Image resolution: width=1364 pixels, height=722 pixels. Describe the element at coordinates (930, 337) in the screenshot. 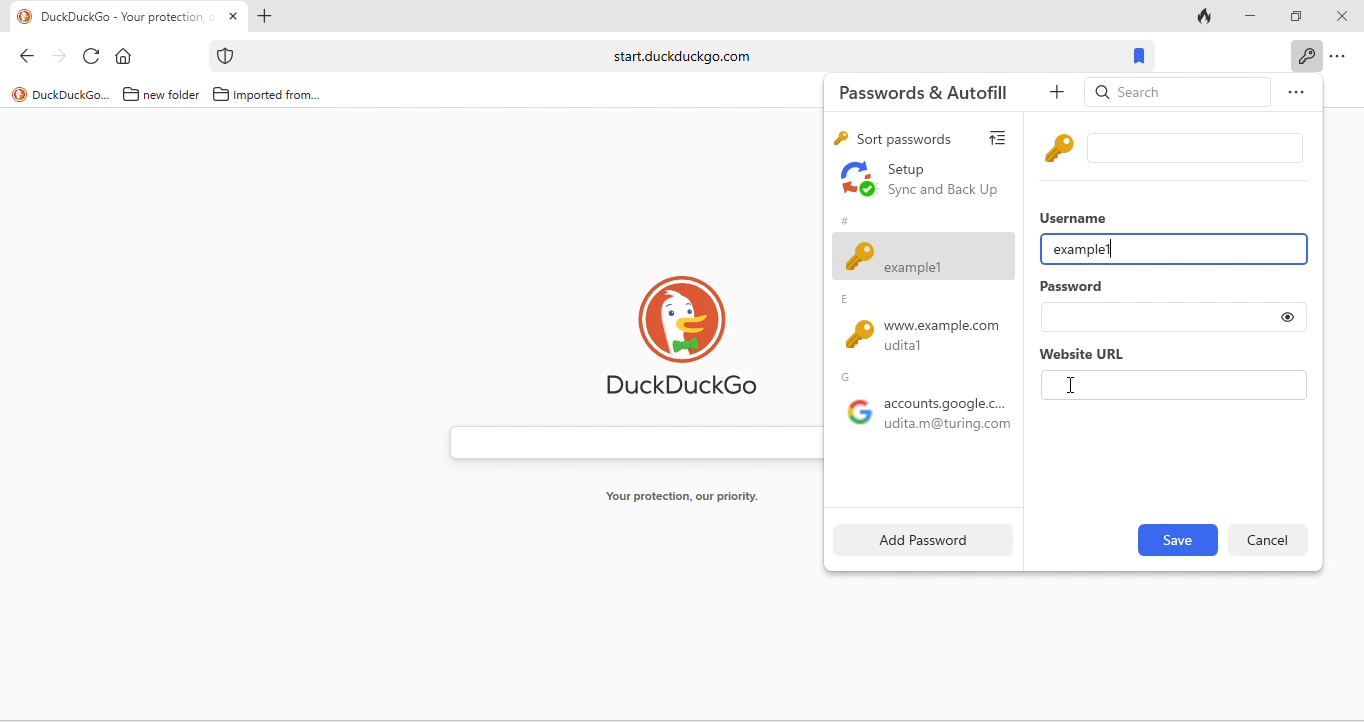

I see `www.example.com` at that location.